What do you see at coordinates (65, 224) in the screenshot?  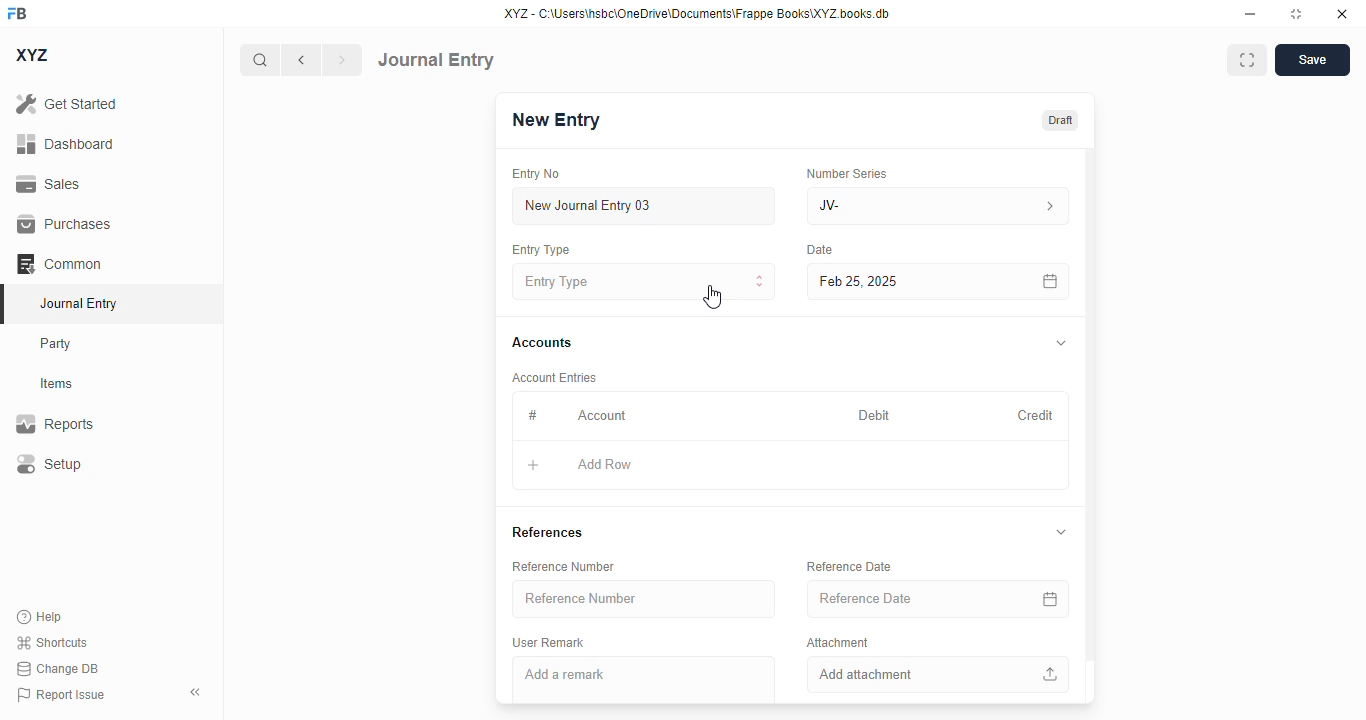 I see `purchases` at bounding box center [65, 224].